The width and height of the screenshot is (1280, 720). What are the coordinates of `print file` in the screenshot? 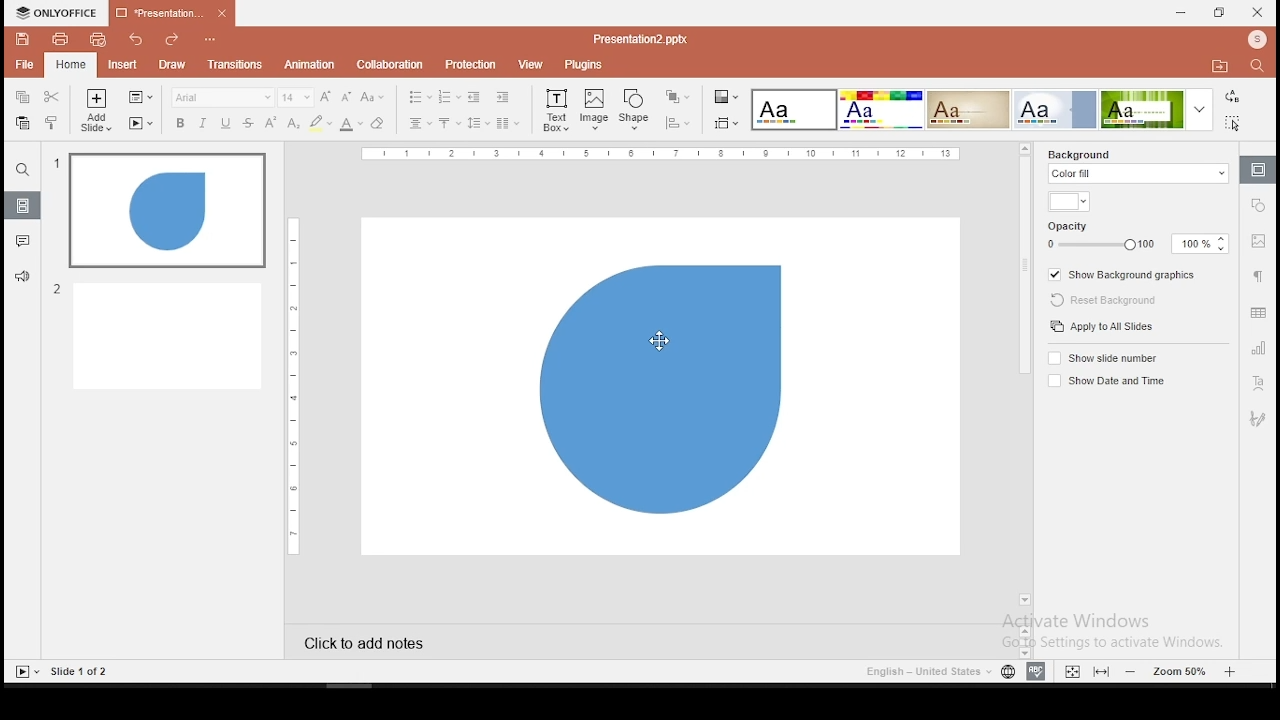 It's located at (59, 40).